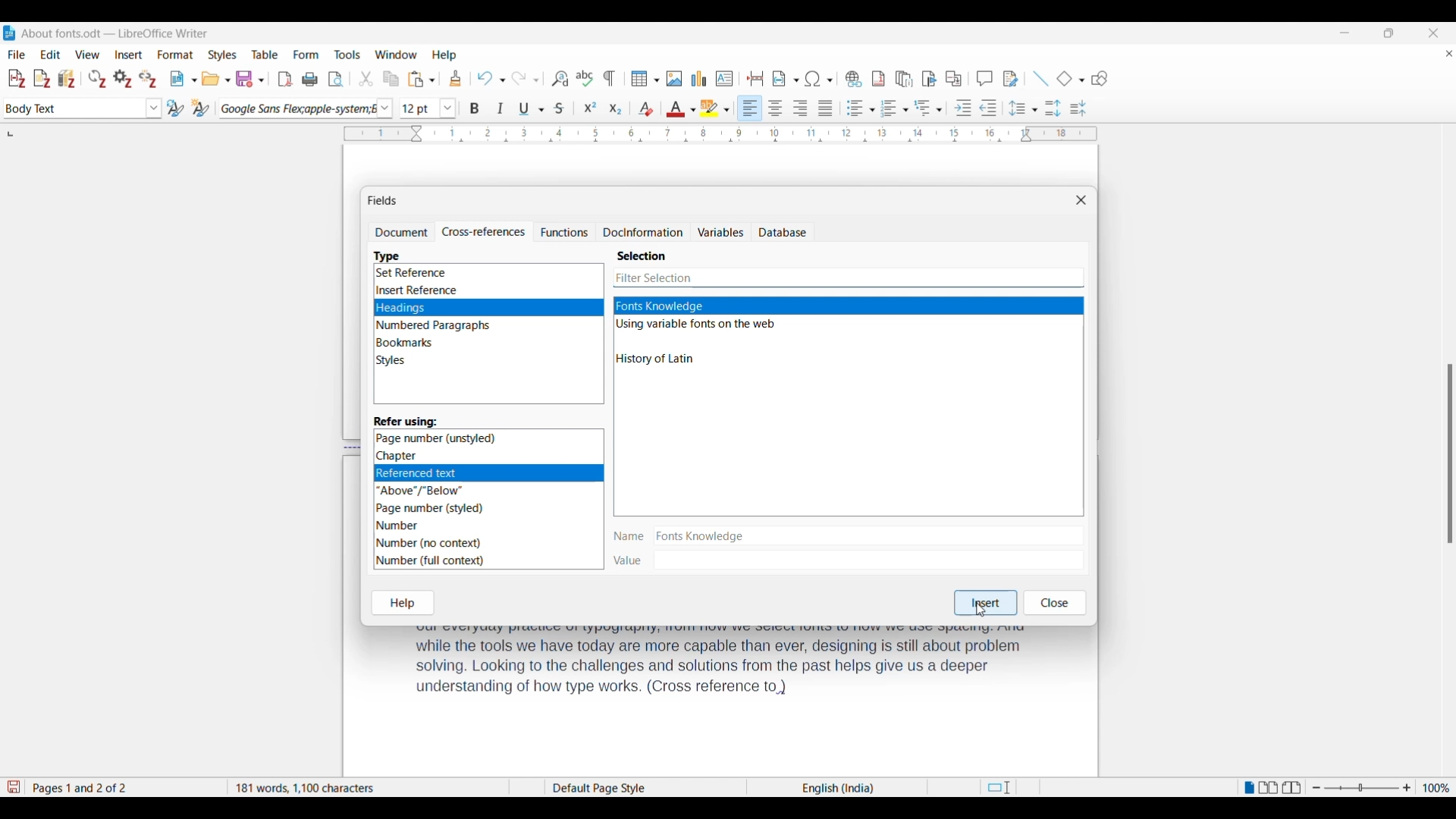  I want to click on Styles menu, so click(222, 55).